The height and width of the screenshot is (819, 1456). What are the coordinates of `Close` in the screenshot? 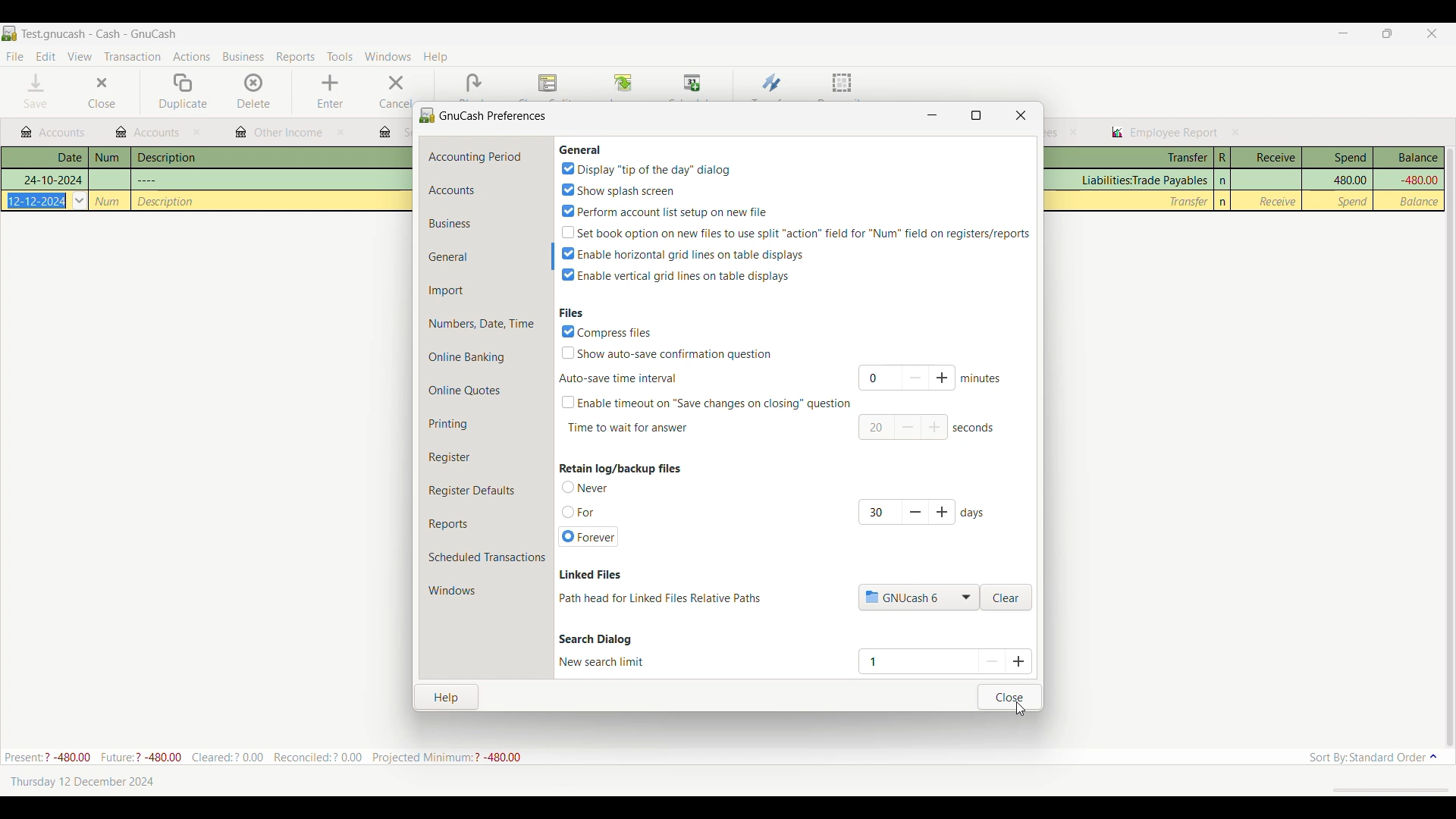 It's located at (1009, 697).